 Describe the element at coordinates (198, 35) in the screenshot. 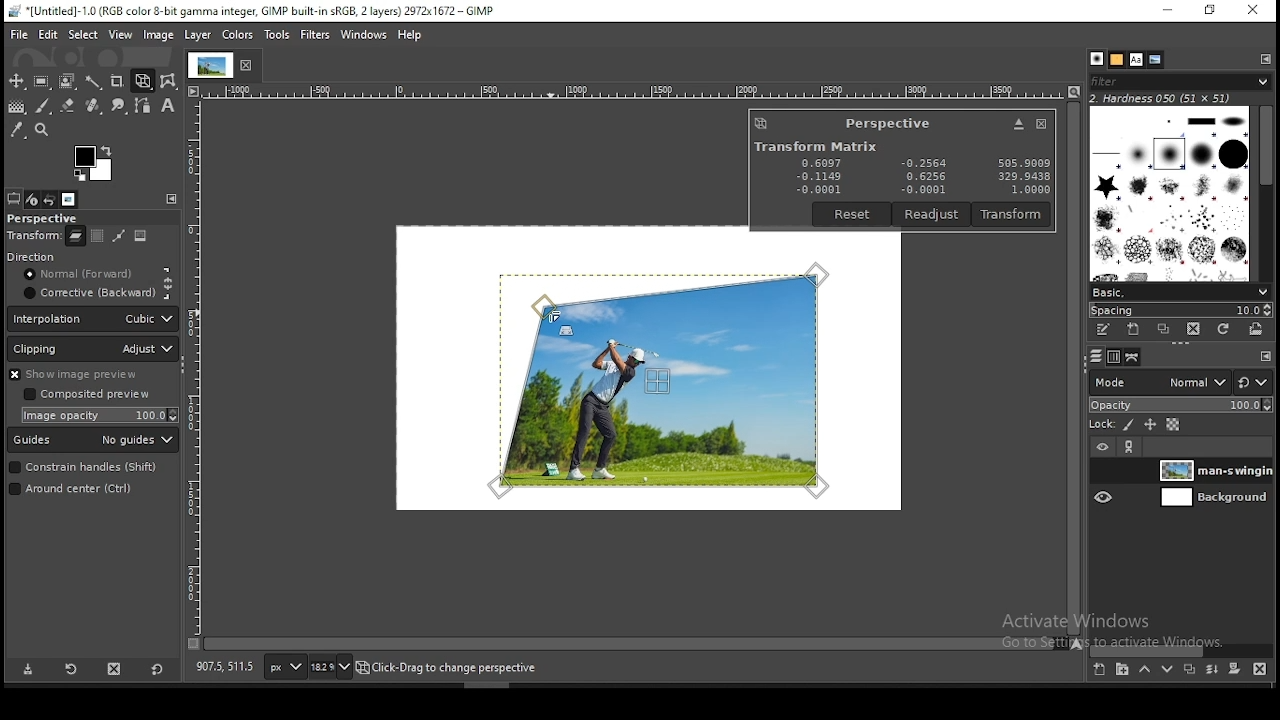

I see `layer` at that location.